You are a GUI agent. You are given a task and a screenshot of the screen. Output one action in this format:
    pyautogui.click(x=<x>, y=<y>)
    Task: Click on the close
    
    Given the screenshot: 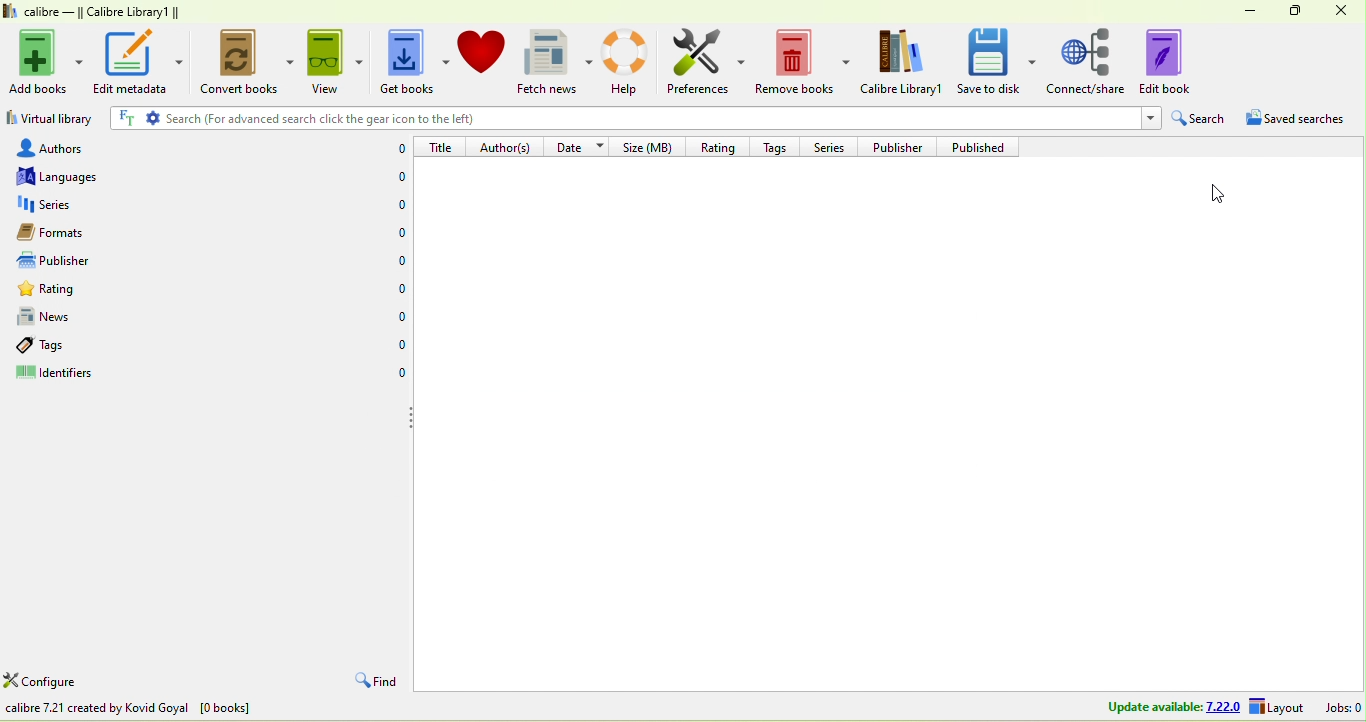 What is the action you would take?
    pyautogui.click(x=1342, y=12)
    